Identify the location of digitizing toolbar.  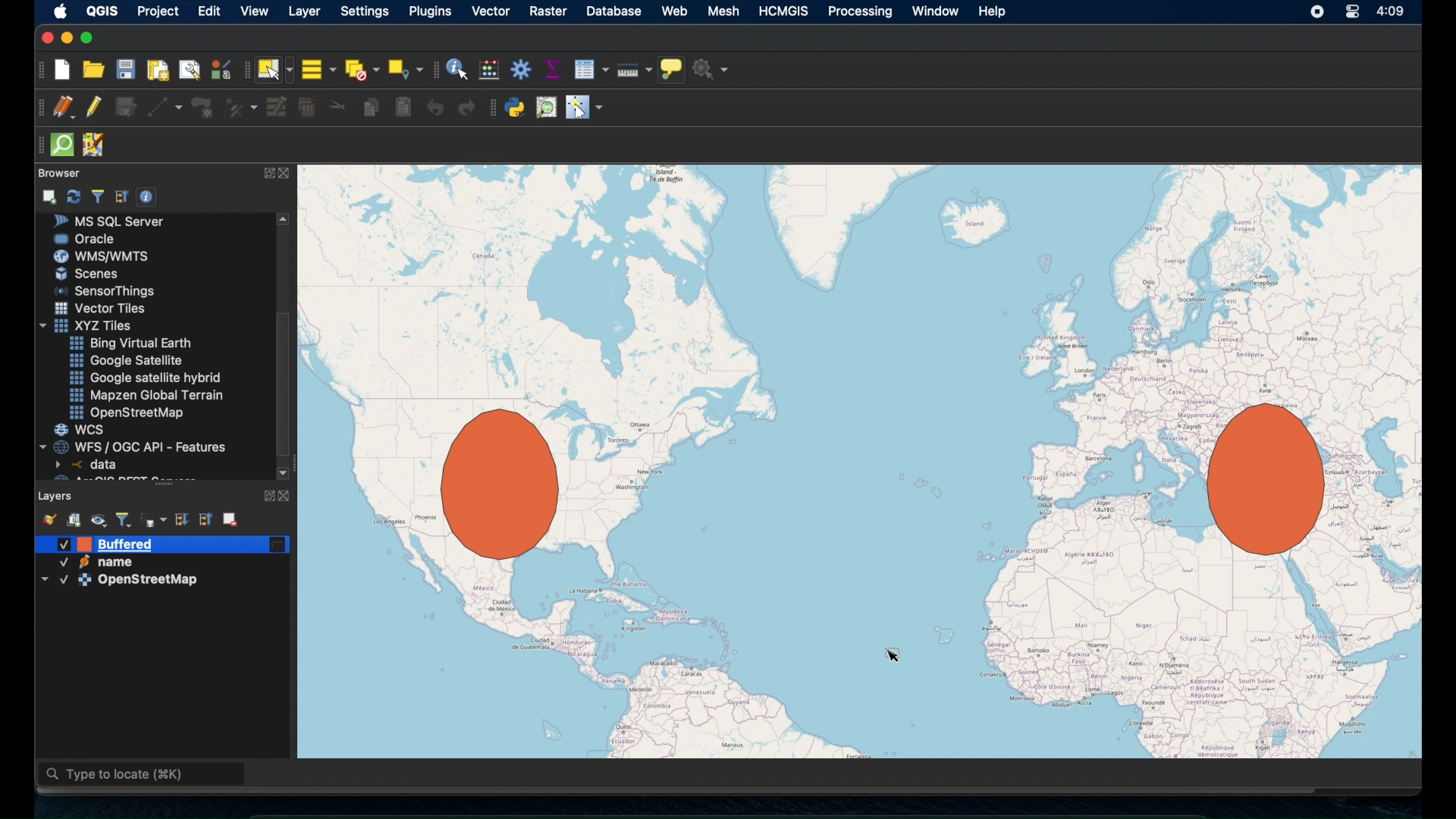
(36, 108).